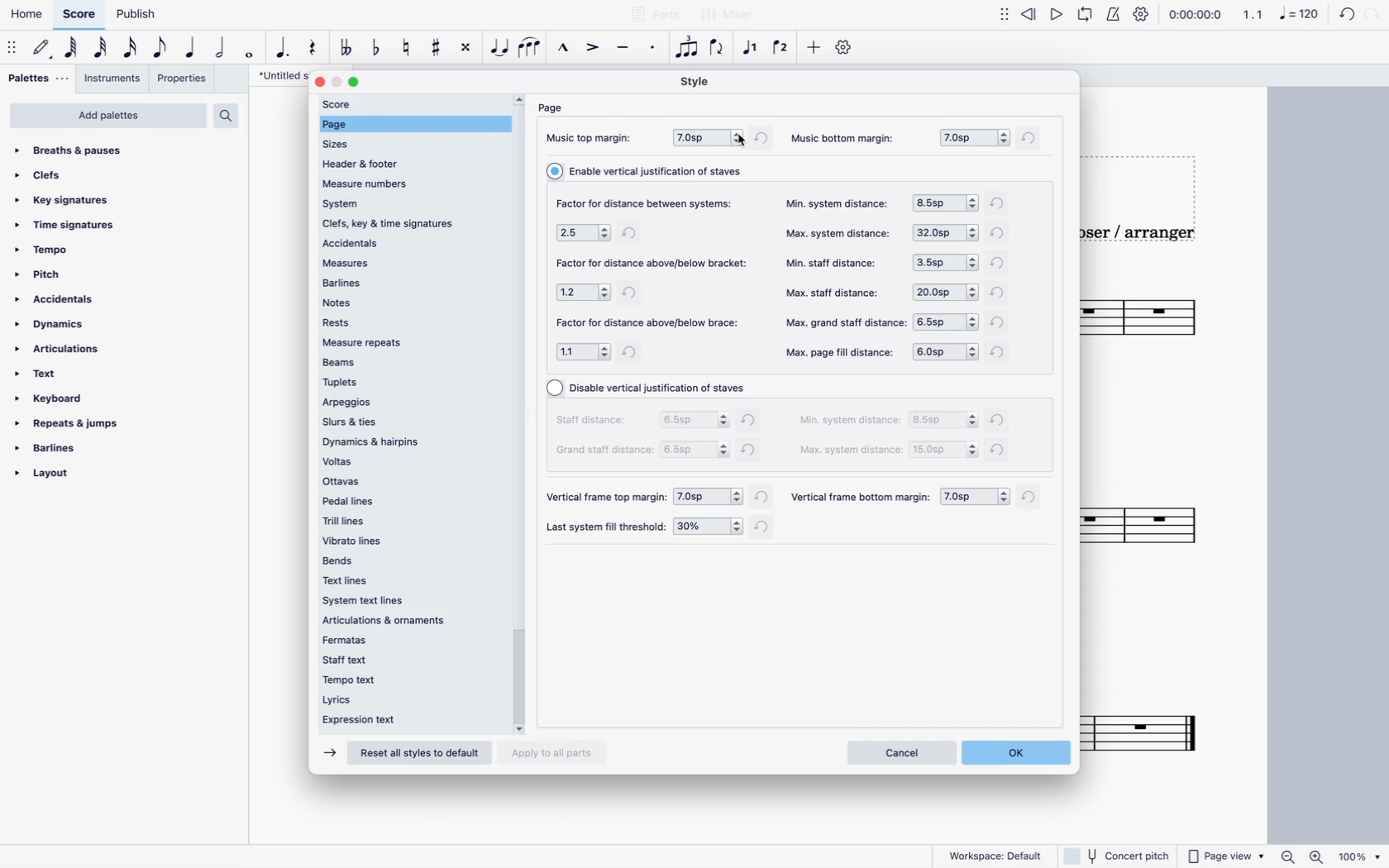 The height and width of the screenshot is (868, 1389). I want to click on keyboard, so click(51, 398).